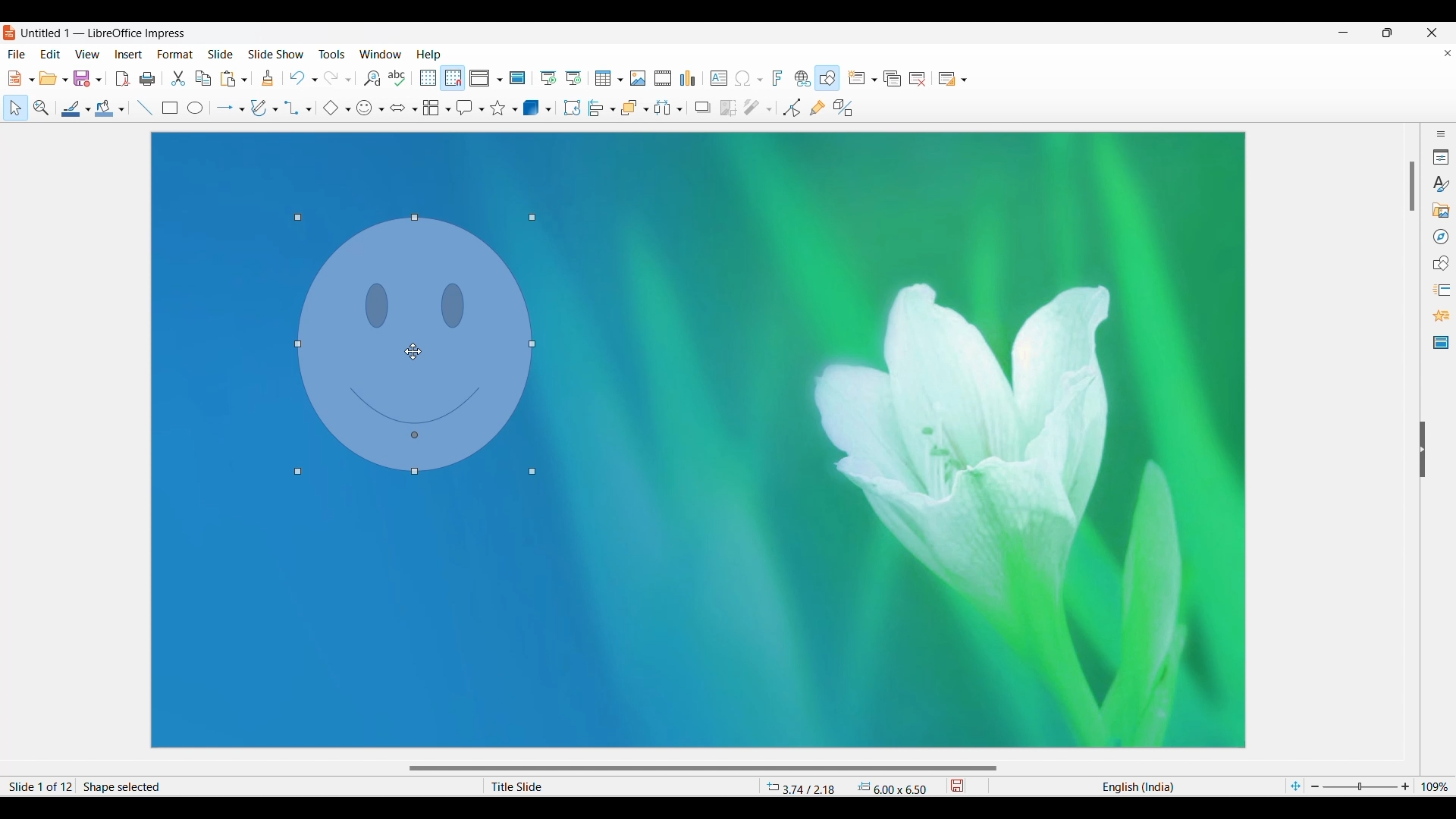 The image size is (1456, 819). Describe the element at coordinates (769, 110) in the screenshot. I see `Filter options` at that location.